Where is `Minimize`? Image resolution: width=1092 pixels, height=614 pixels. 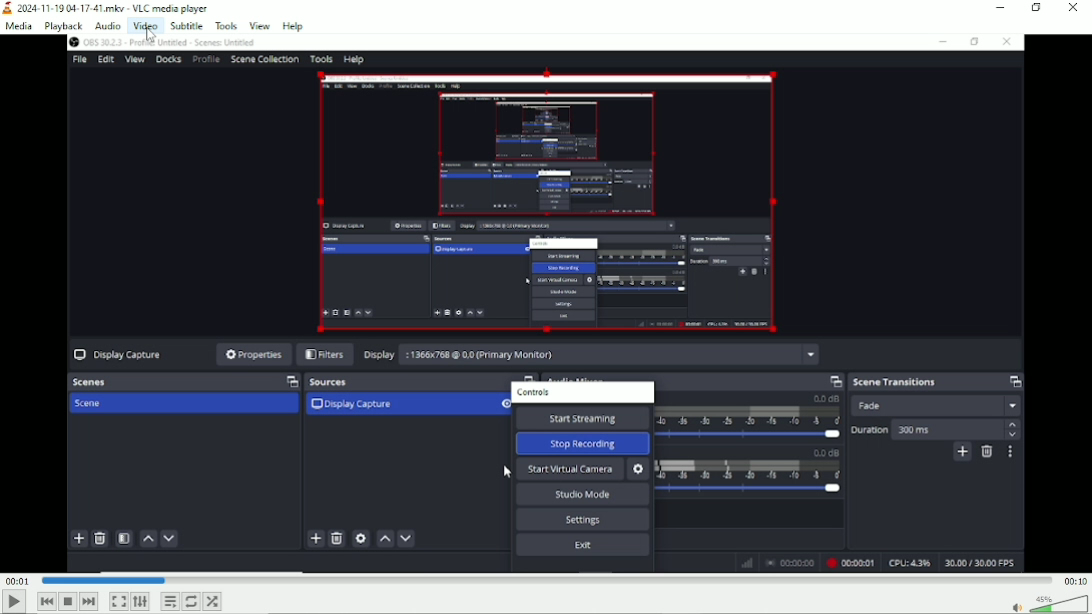
Minimize is located at coordinates (1001, 7).